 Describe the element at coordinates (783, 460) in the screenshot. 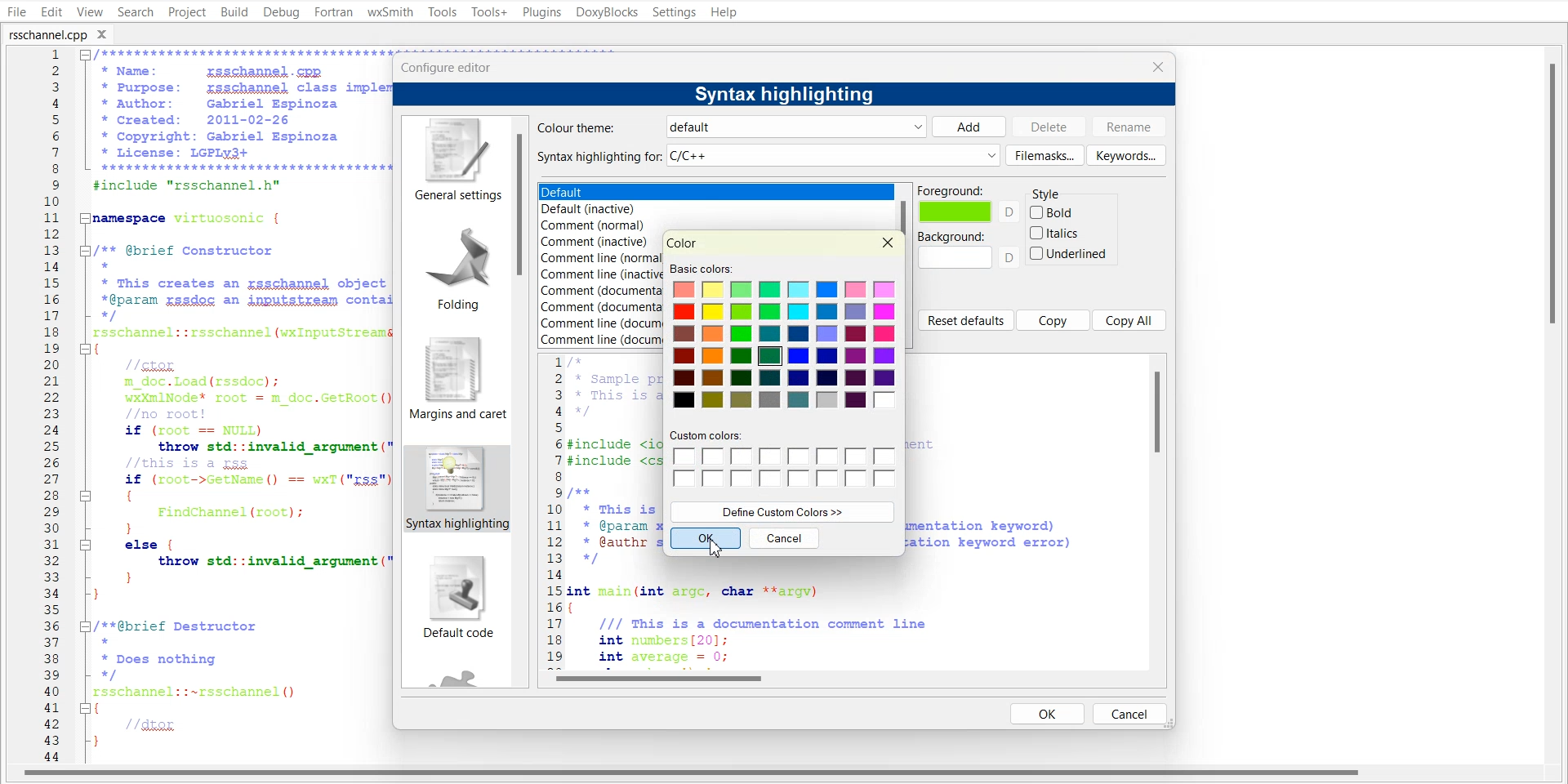

I see `Custom color` at that location.